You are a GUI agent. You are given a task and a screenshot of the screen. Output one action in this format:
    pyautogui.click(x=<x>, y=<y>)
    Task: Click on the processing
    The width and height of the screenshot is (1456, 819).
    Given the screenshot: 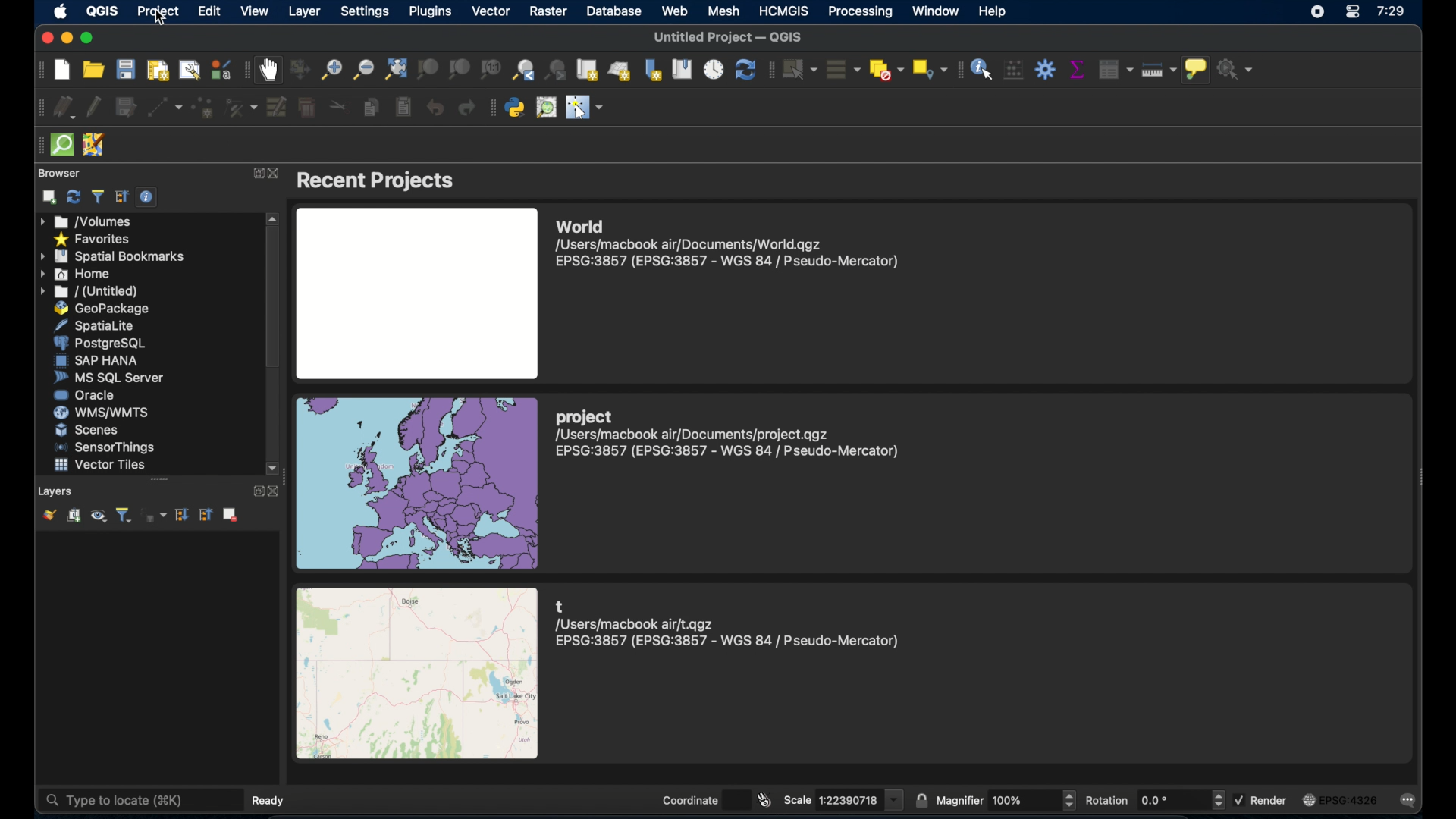 What is the action you would take?
    pyautogui.click(x=858, y=11)
    